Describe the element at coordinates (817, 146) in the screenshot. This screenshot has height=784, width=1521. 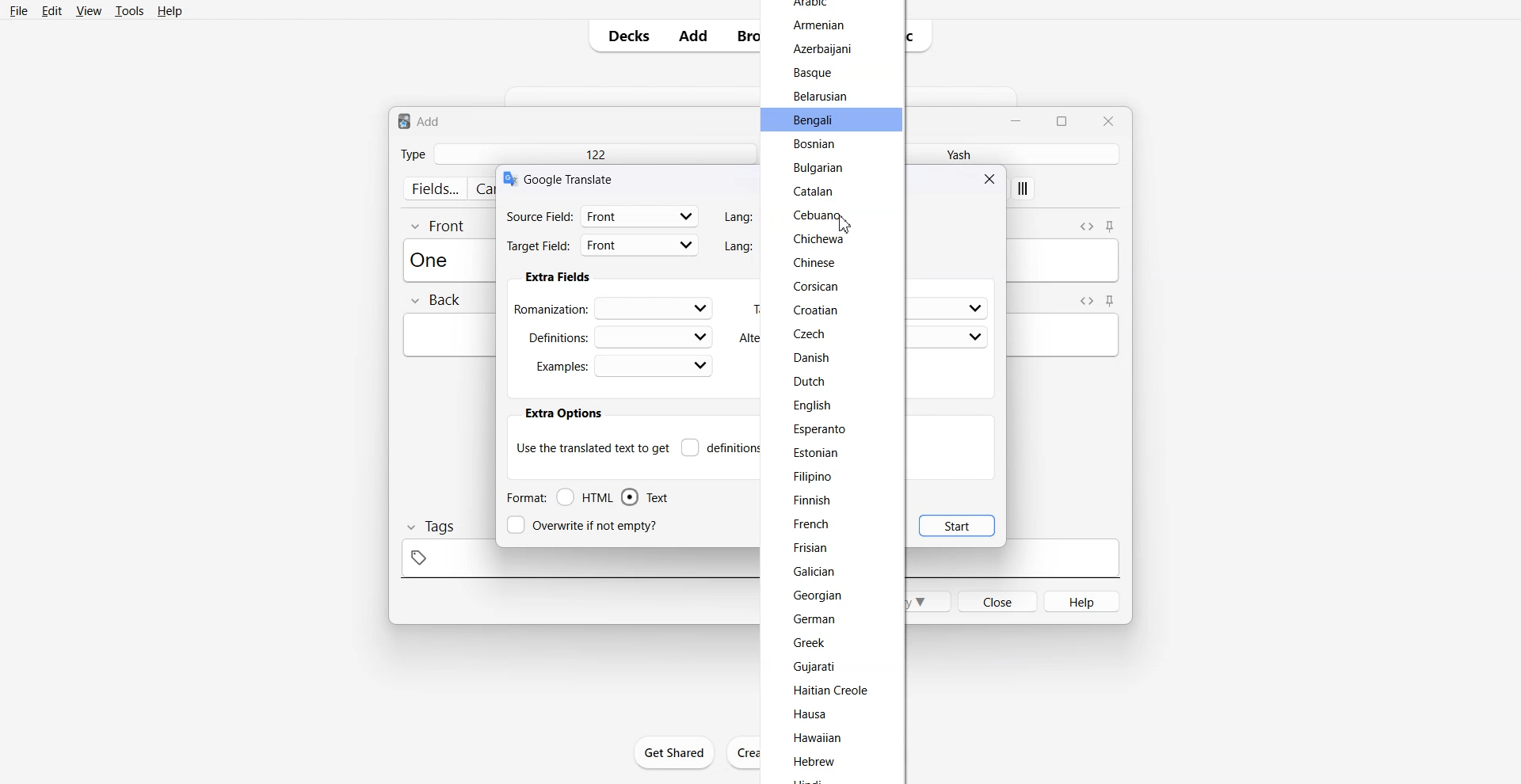
I see `Bosnian` at that location.